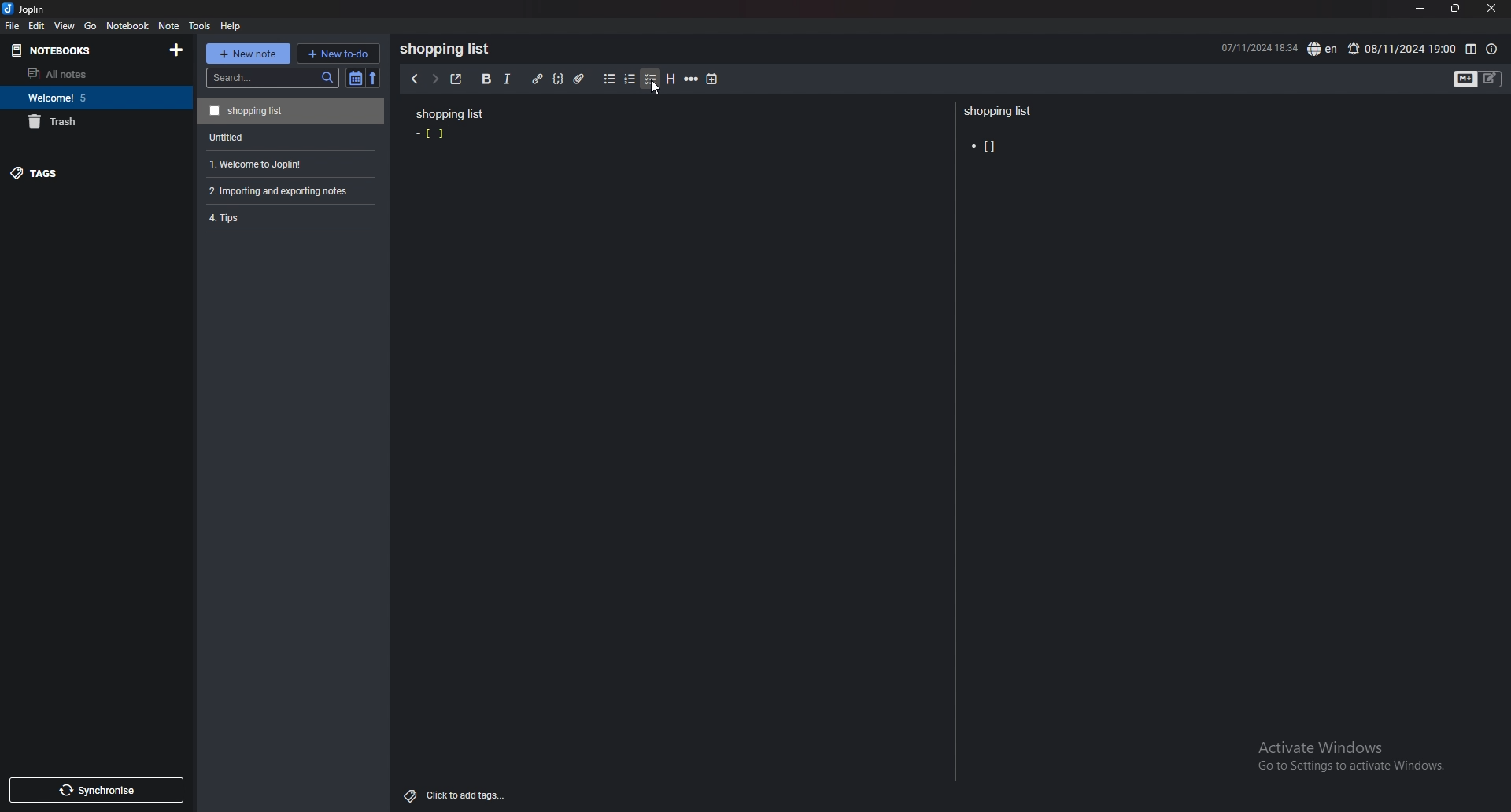 This screenshot has height=812, width=1511. What do you see at coordinates (1454, 9) in the screenshot?
I see `resize` at bounding box center [1454, 9].